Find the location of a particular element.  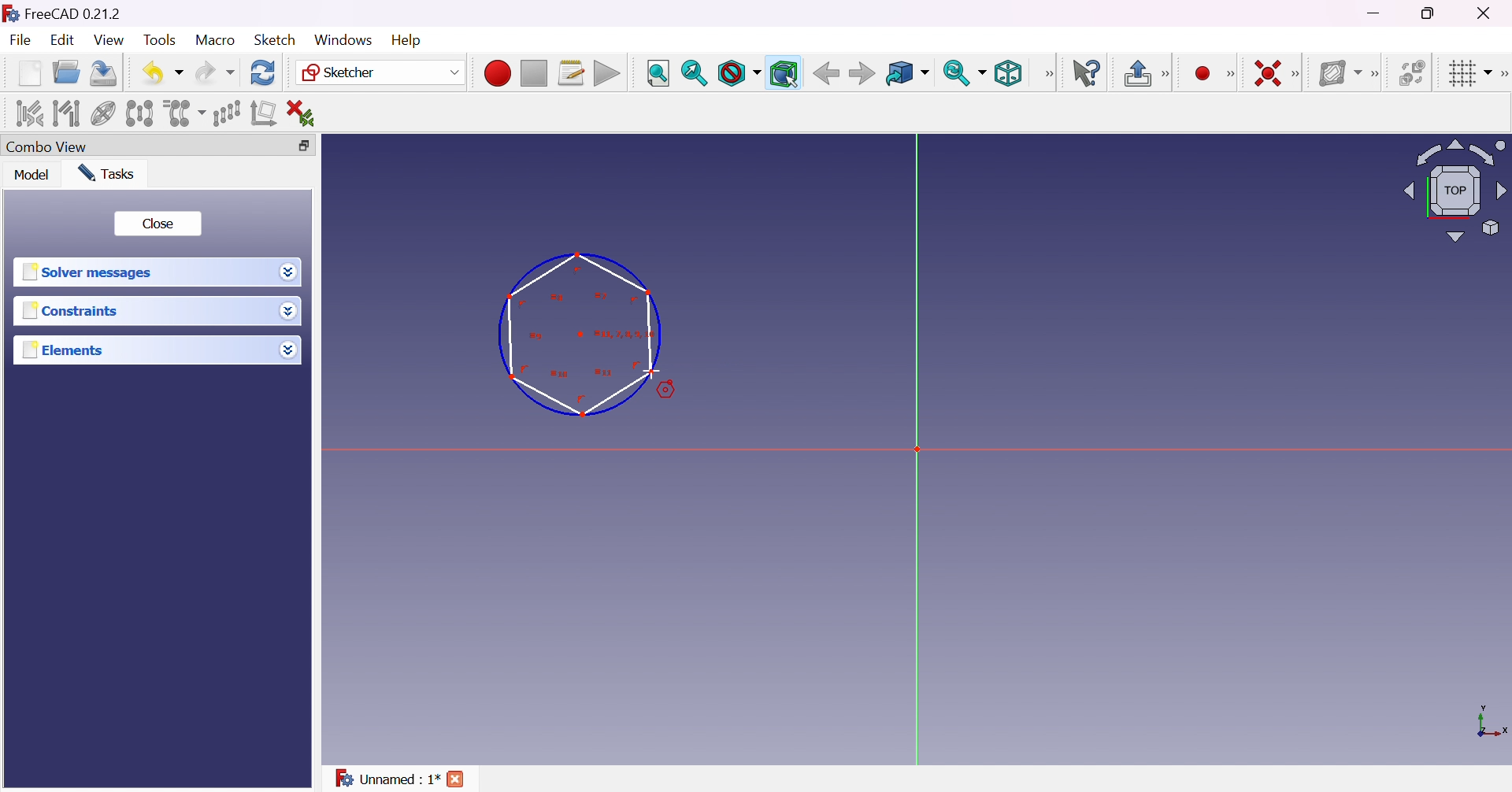

View is located at coordinates (109, 40).